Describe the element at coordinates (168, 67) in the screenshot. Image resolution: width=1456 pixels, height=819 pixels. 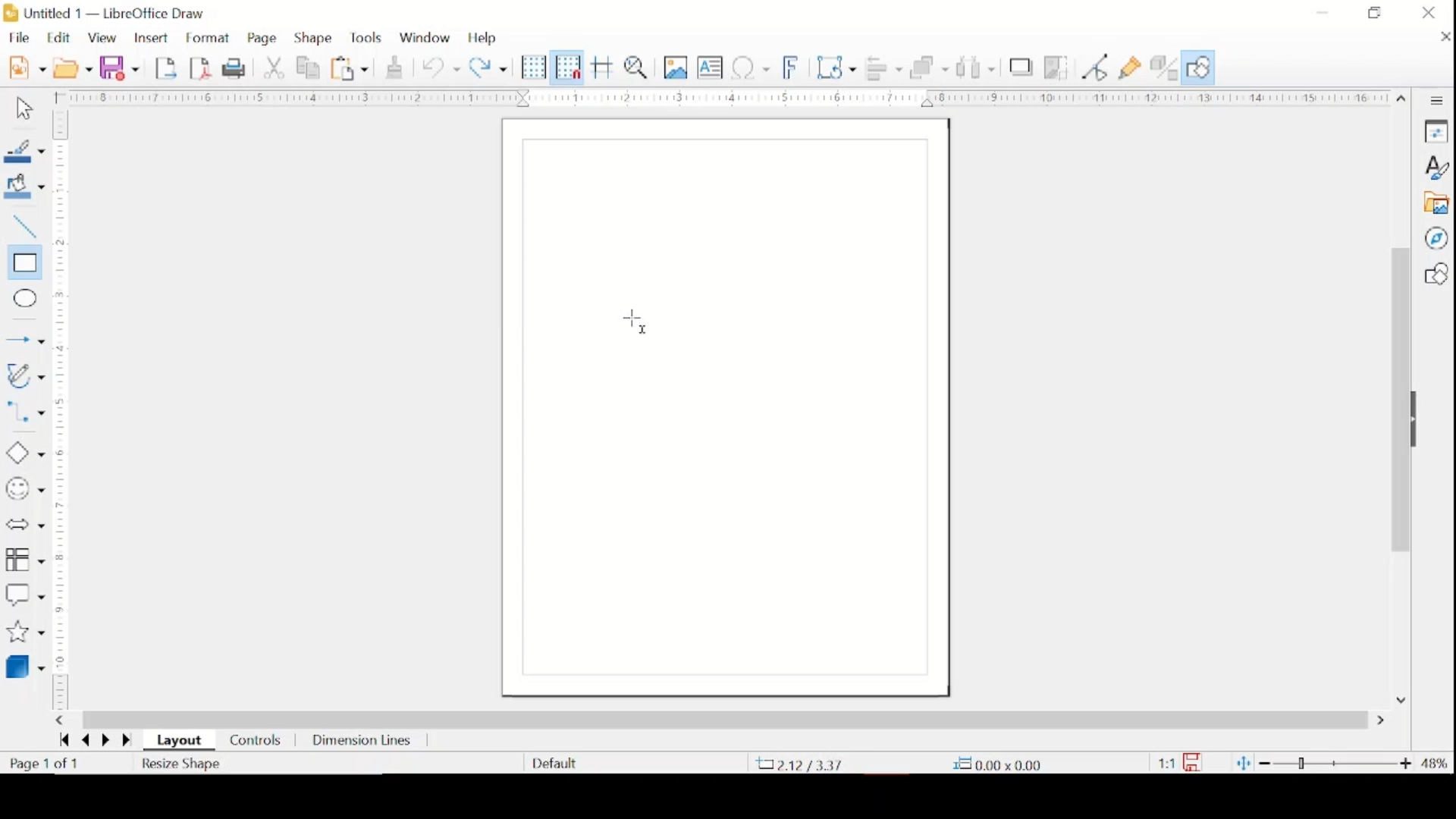
I see `export` at that location.